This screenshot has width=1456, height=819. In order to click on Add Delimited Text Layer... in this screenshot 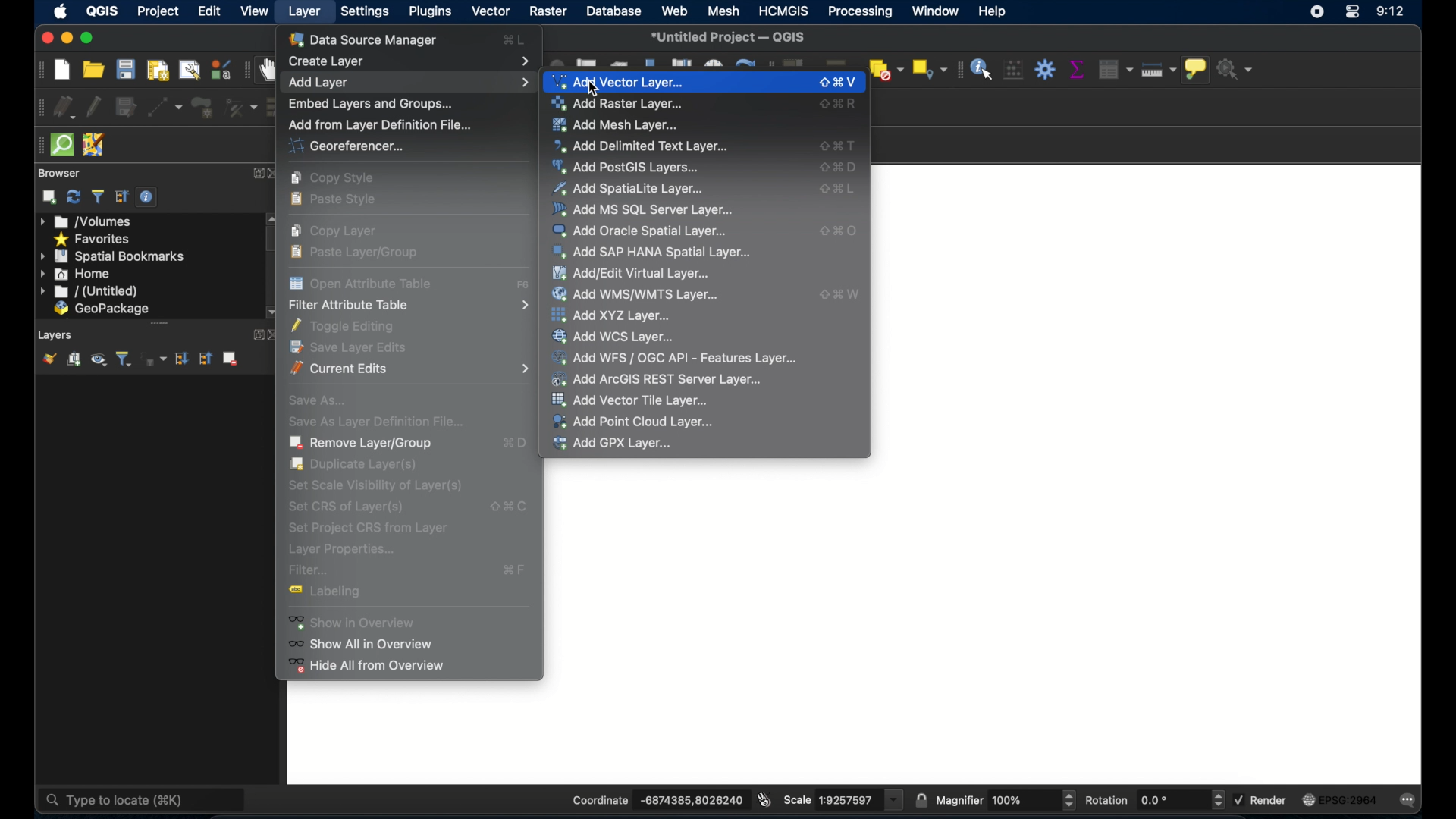, I will do `click(702, 146)`.